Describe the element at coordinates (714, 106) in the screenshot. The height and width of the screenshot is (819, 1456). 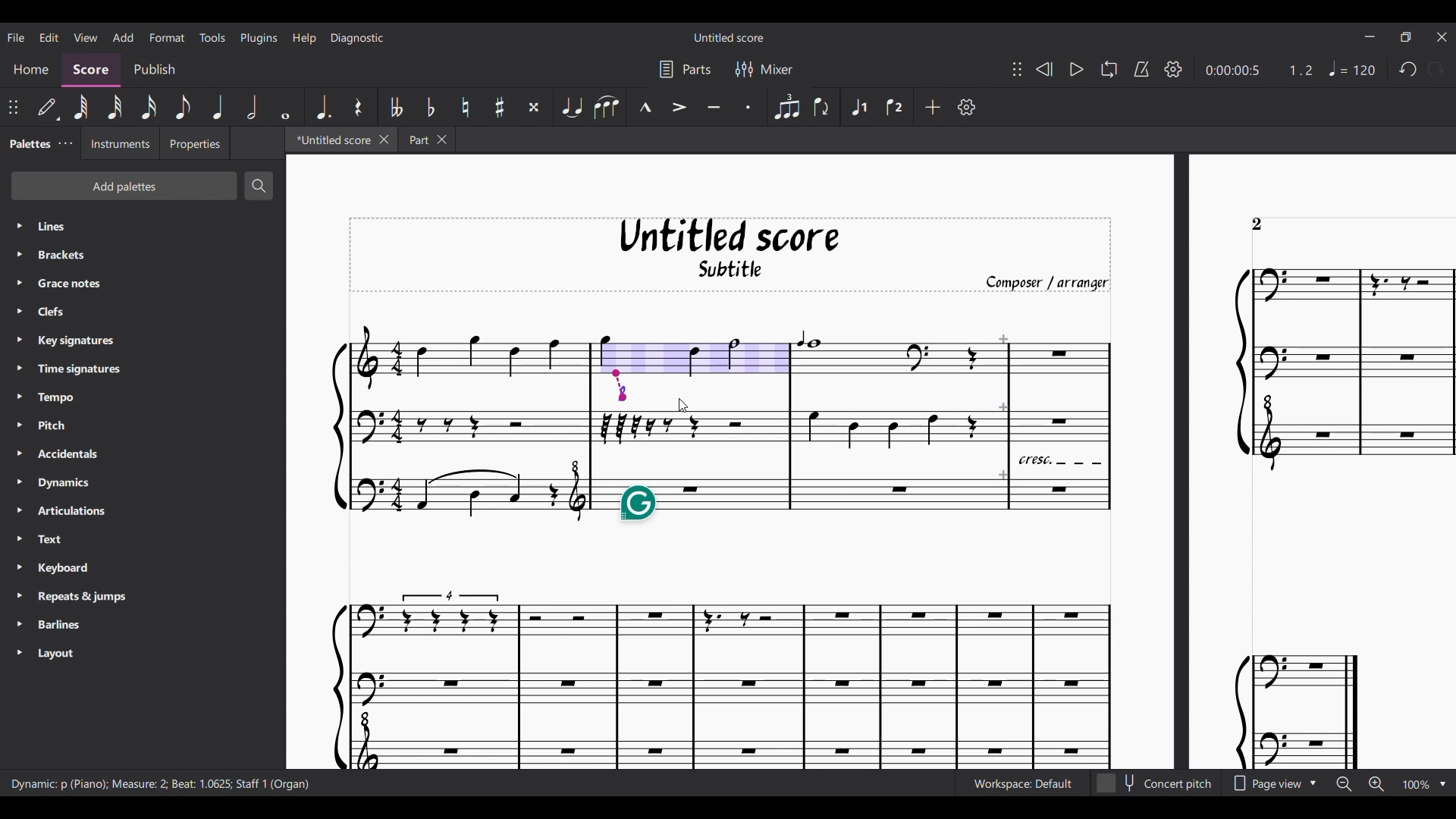
I see `Tenuto` at that location.